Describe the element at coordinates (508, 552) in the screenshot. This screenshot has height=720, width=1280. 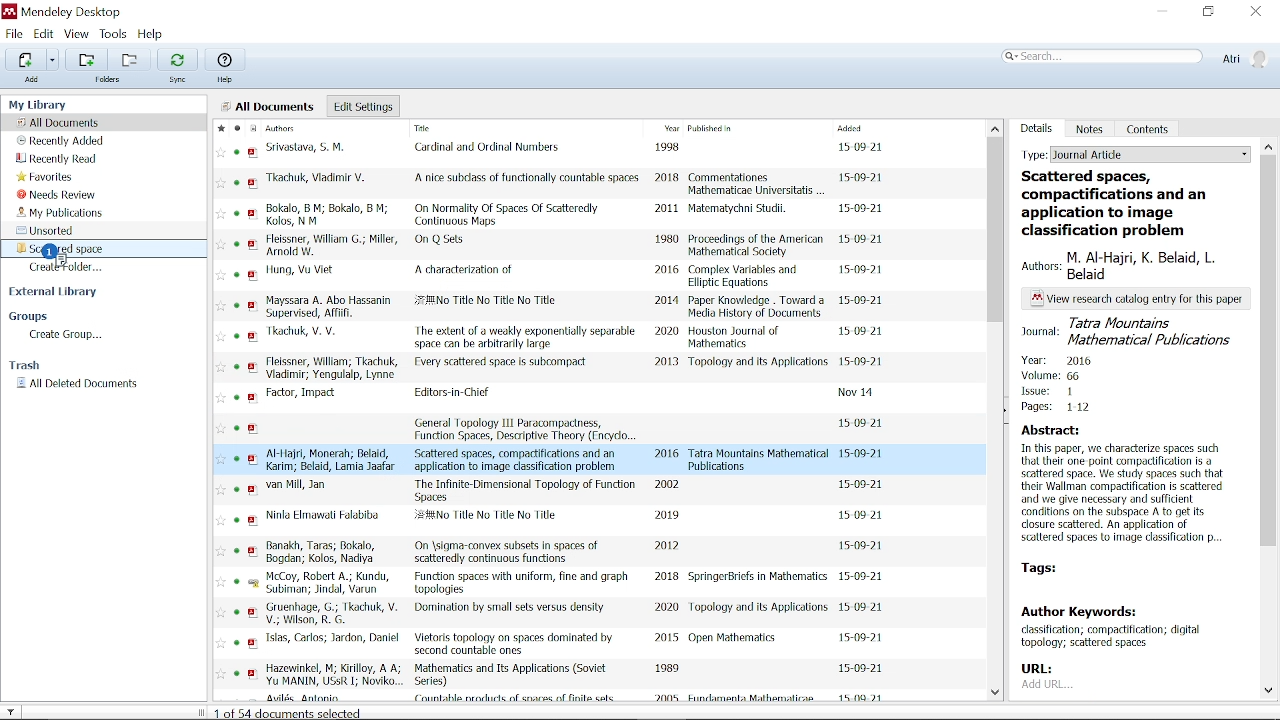
I see `title` at that location.